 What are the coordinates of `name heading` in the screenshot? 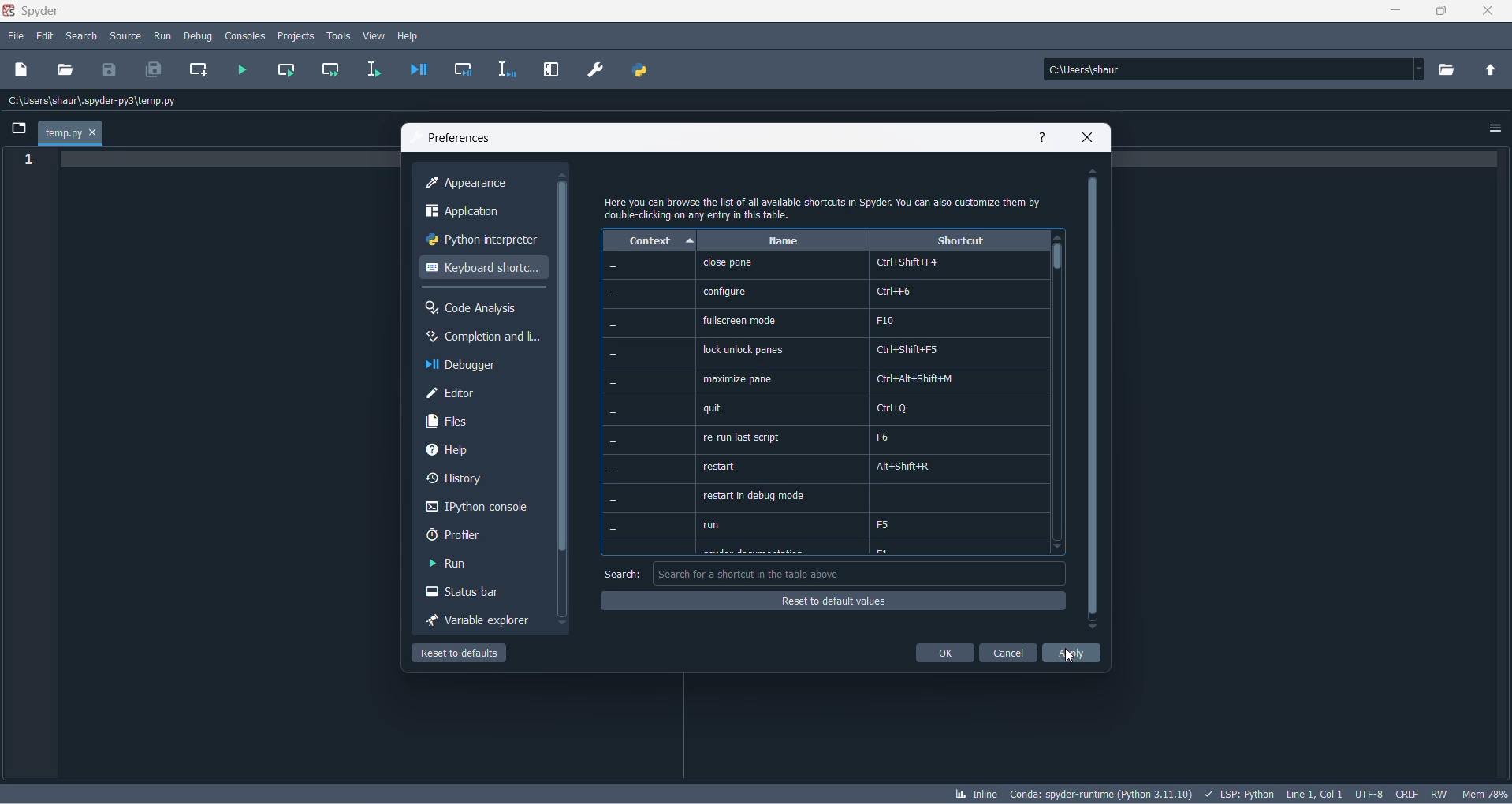 It's located at (783, 241).